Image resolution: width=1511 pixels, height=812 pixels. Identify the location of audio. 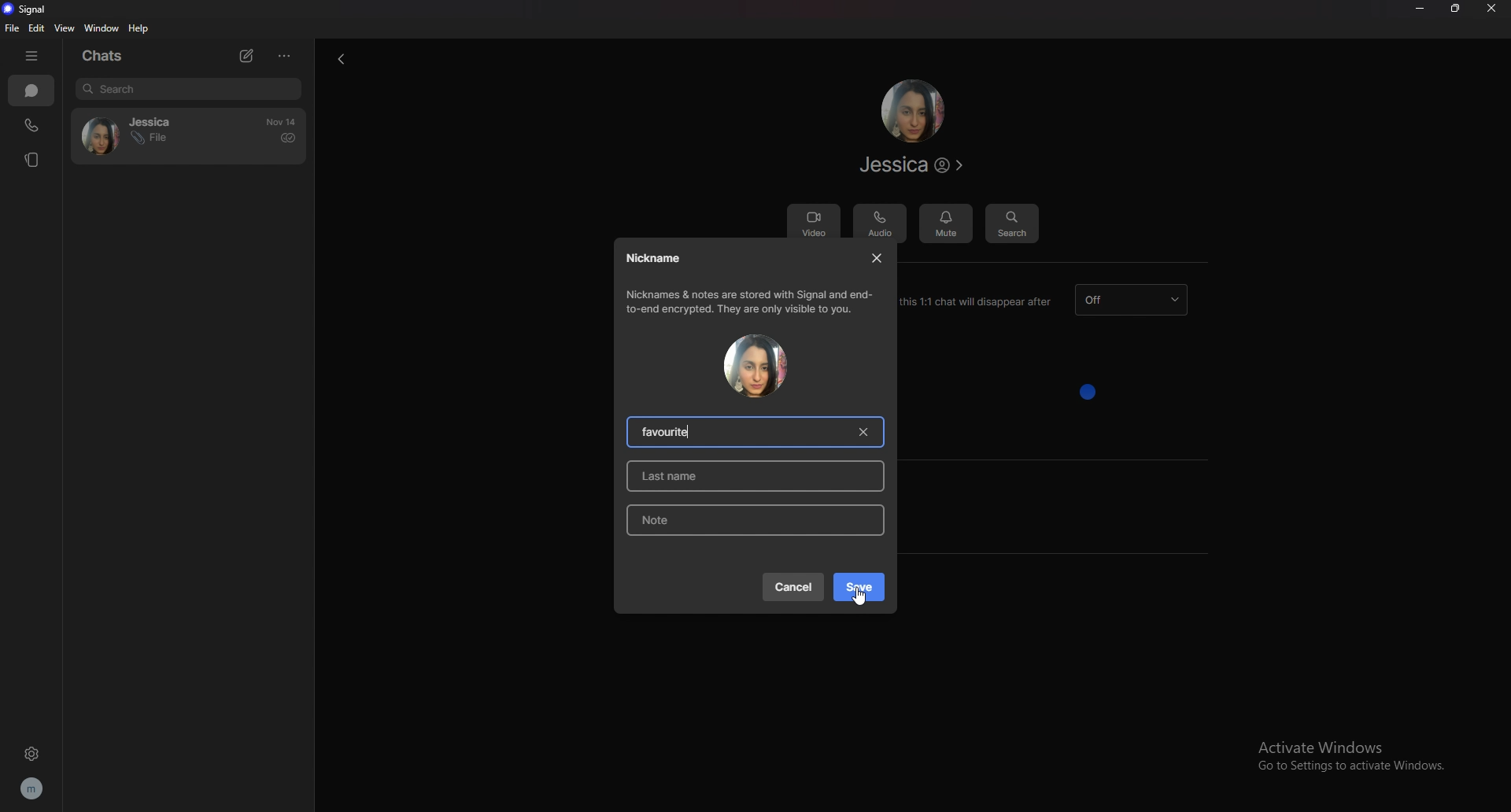
(879, 224).